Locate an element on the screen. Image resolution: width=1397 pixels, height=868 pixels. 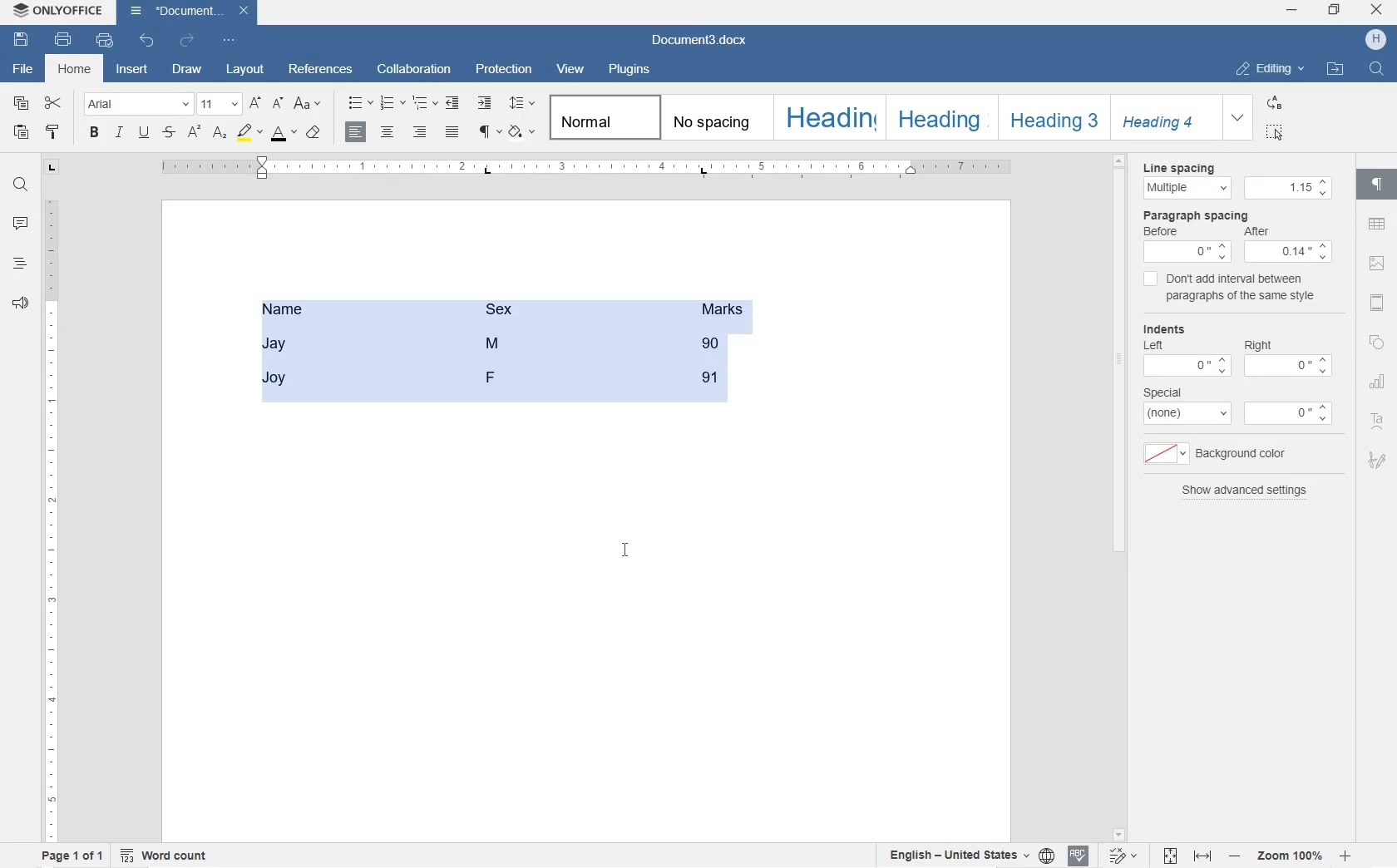
BULLET is located at coordinates (359, 104).